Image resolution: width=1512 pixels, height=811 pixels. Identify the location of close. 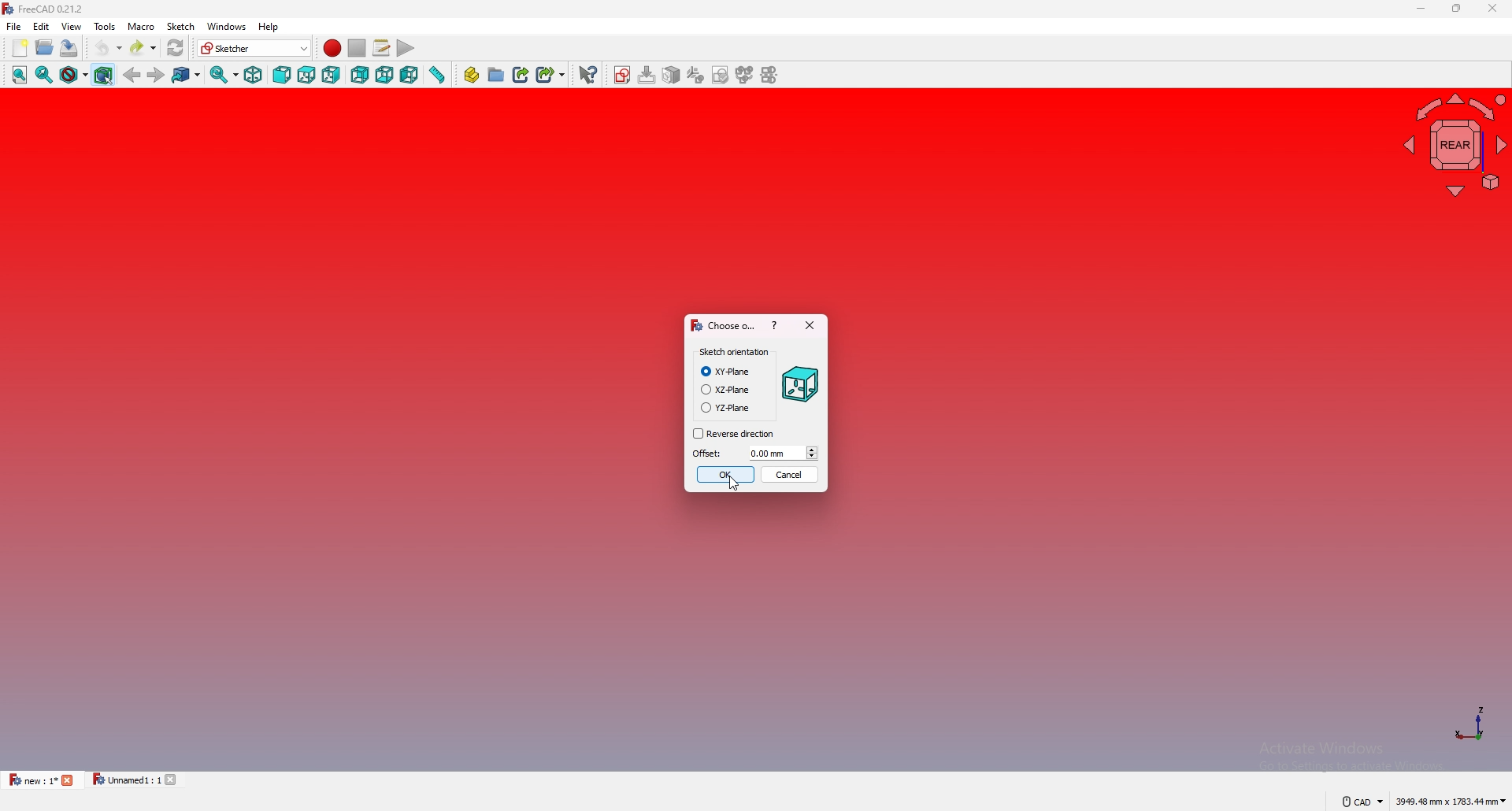
(1493, 8).